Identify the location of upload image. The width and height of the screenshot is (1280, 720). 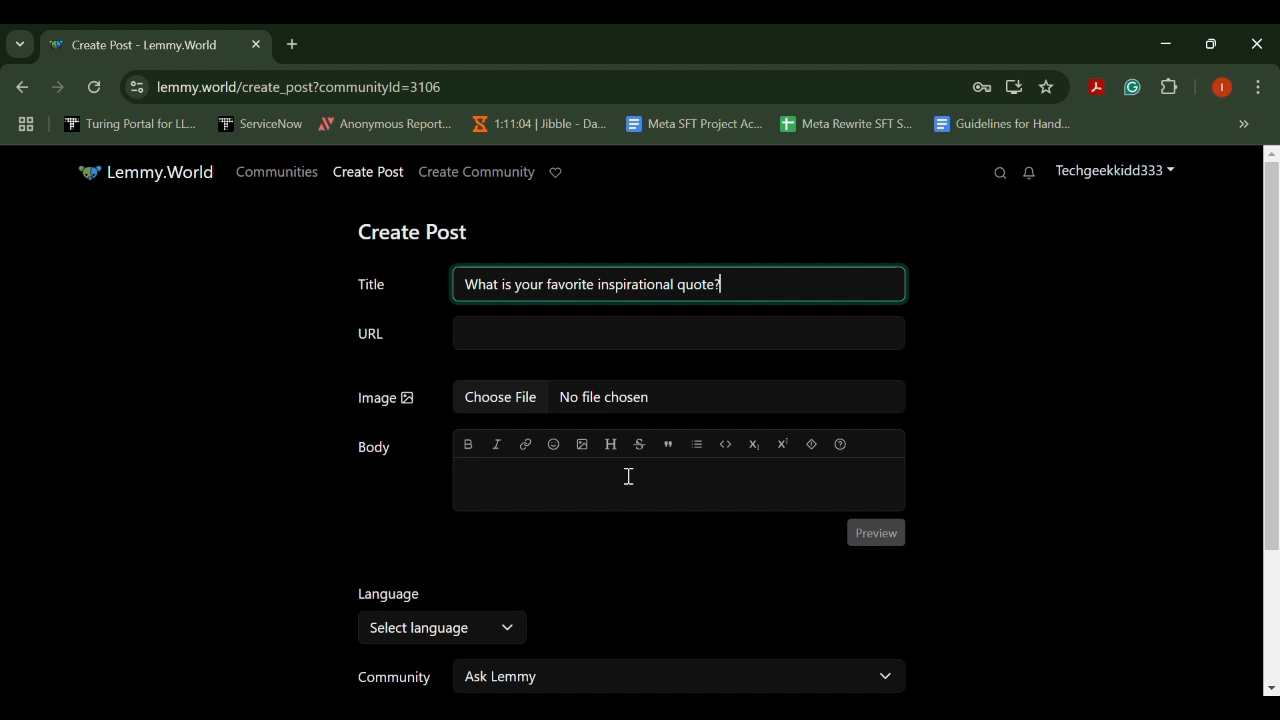
(582, 444).